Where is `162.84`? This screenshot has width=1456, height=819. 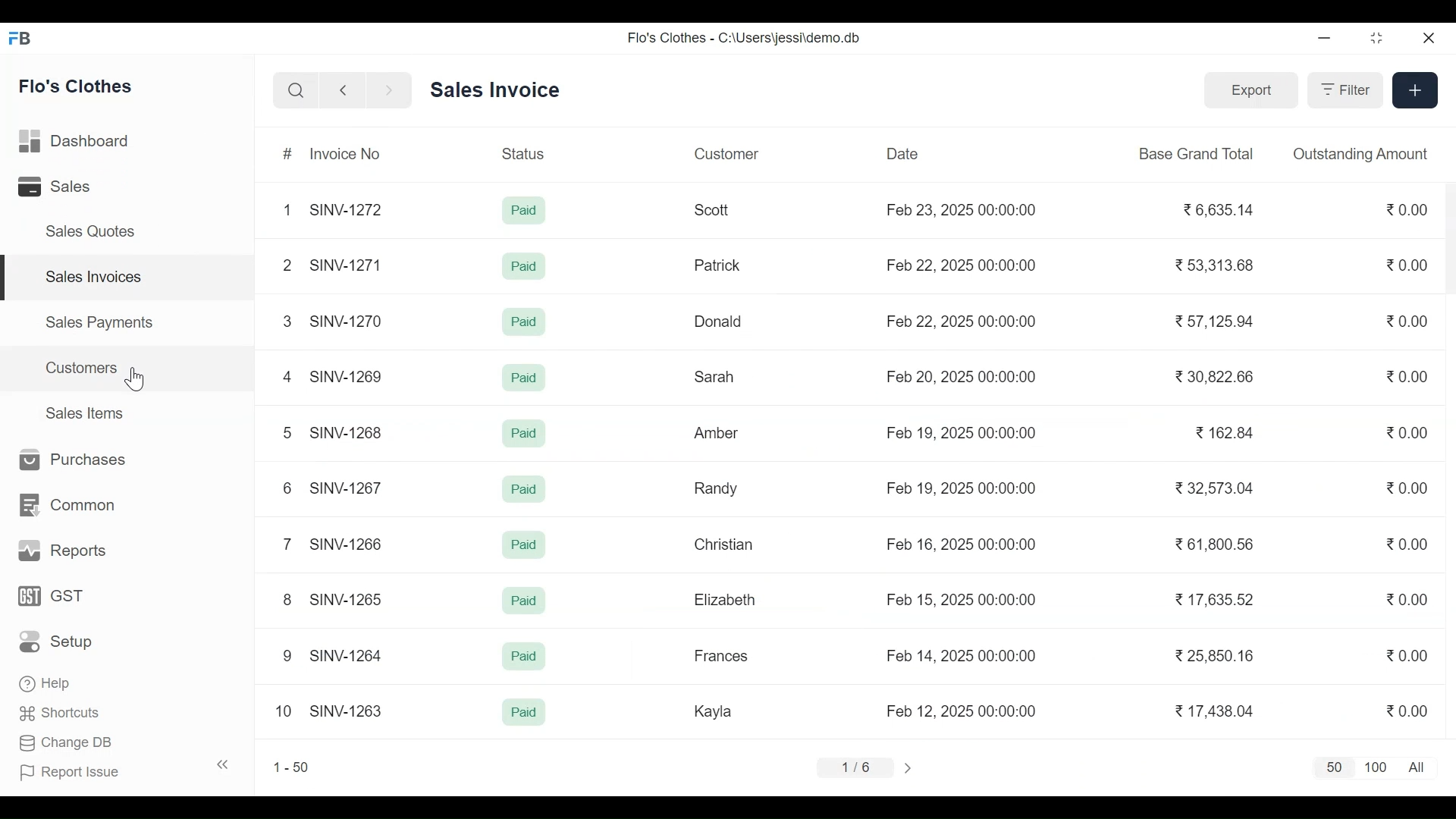
162.84 is located at coordinates (1225, 431).